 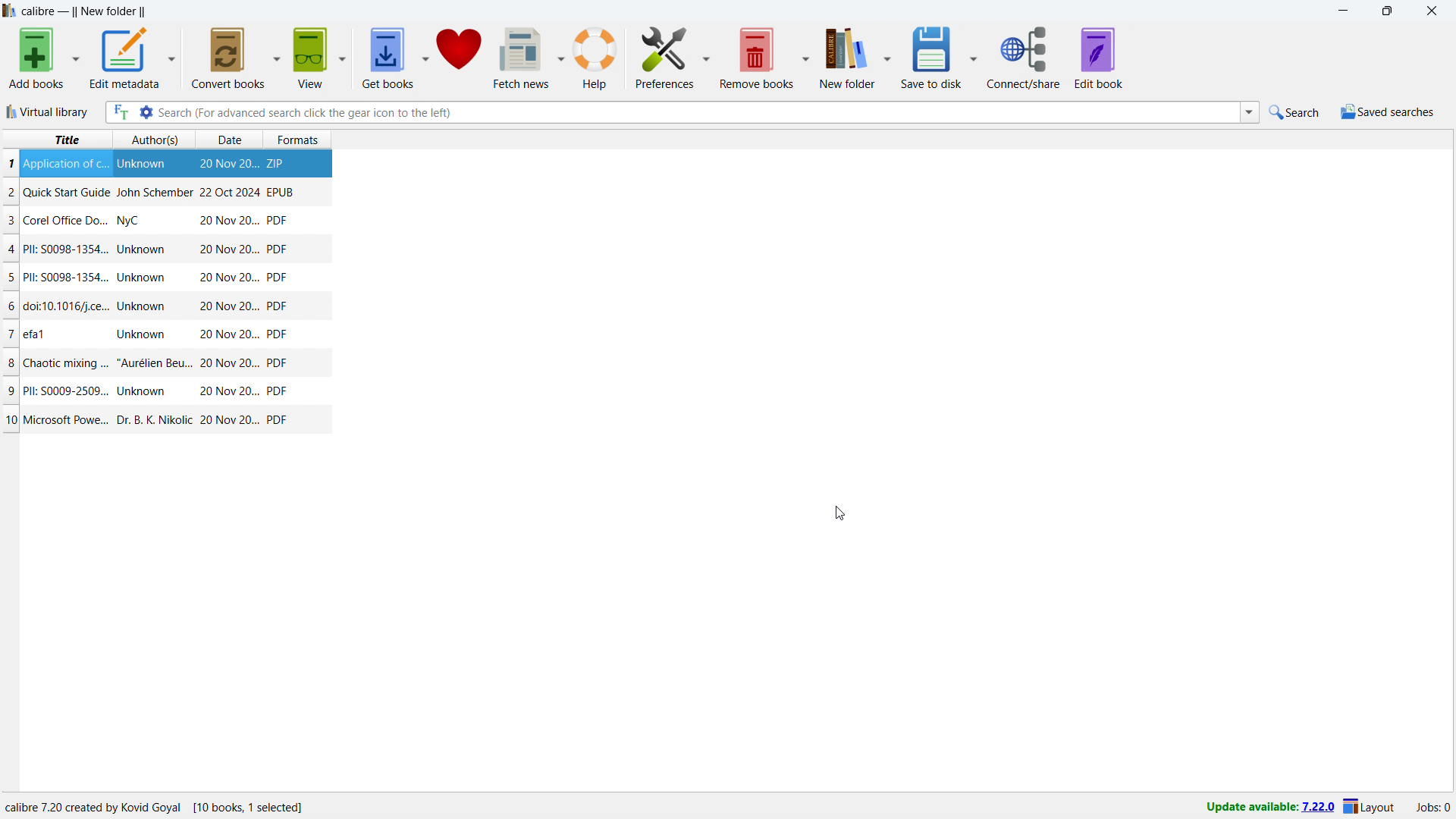 I want to click on Date, so click(x=227, y=335).